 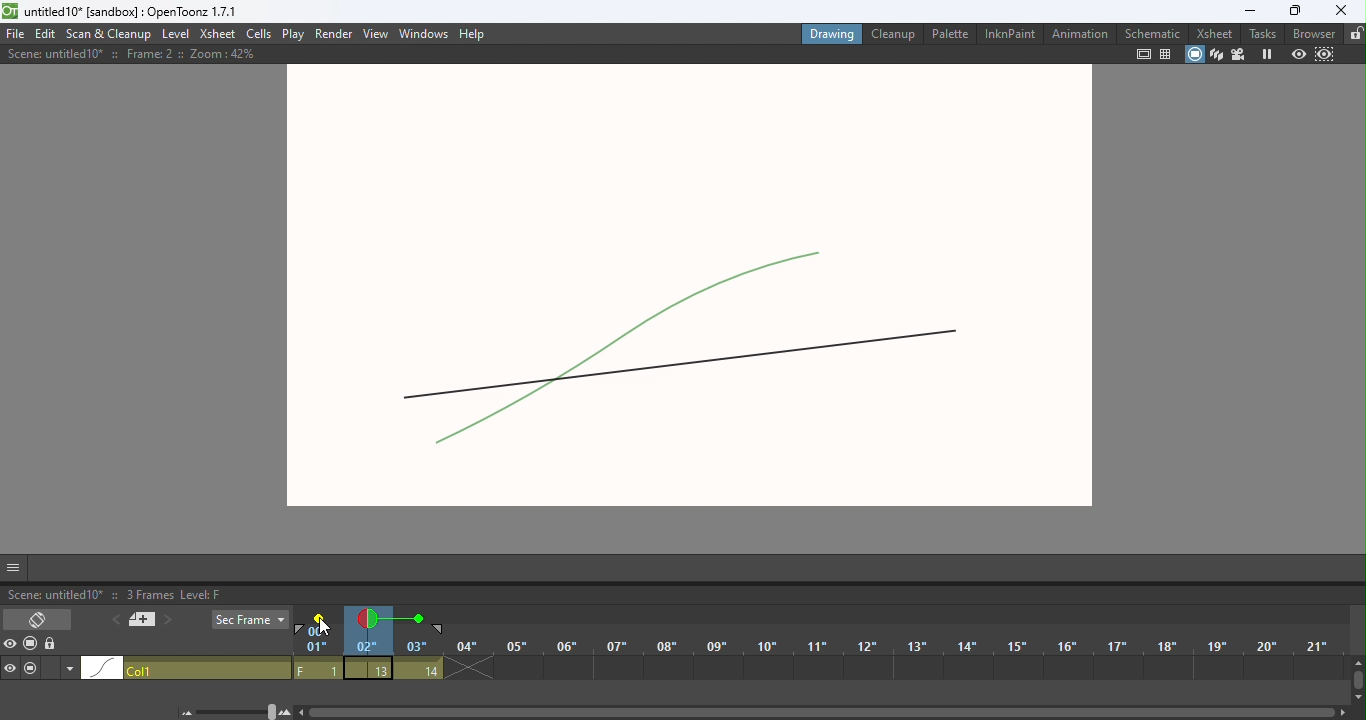 What do you see at coordinates (1194, 55) in the screenshot?
I see `camera stand view` at bounding box center [1194, 55].